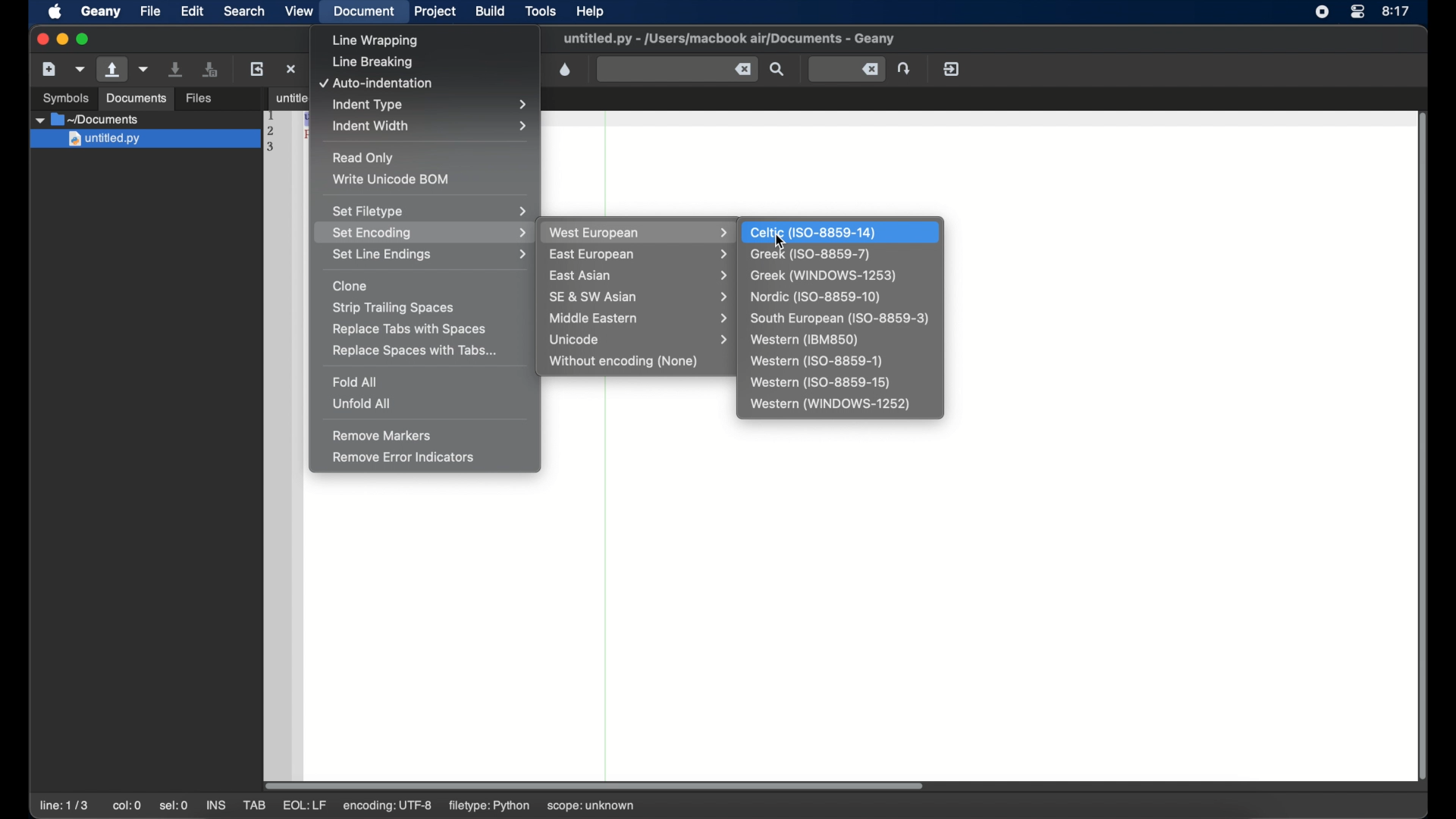 The width and height of the screenshot is (1456, 819). What do you see at coordinates (904, 68) in the screenshot?
I see `jump to the entered line number` at bounding box center [904, 68].